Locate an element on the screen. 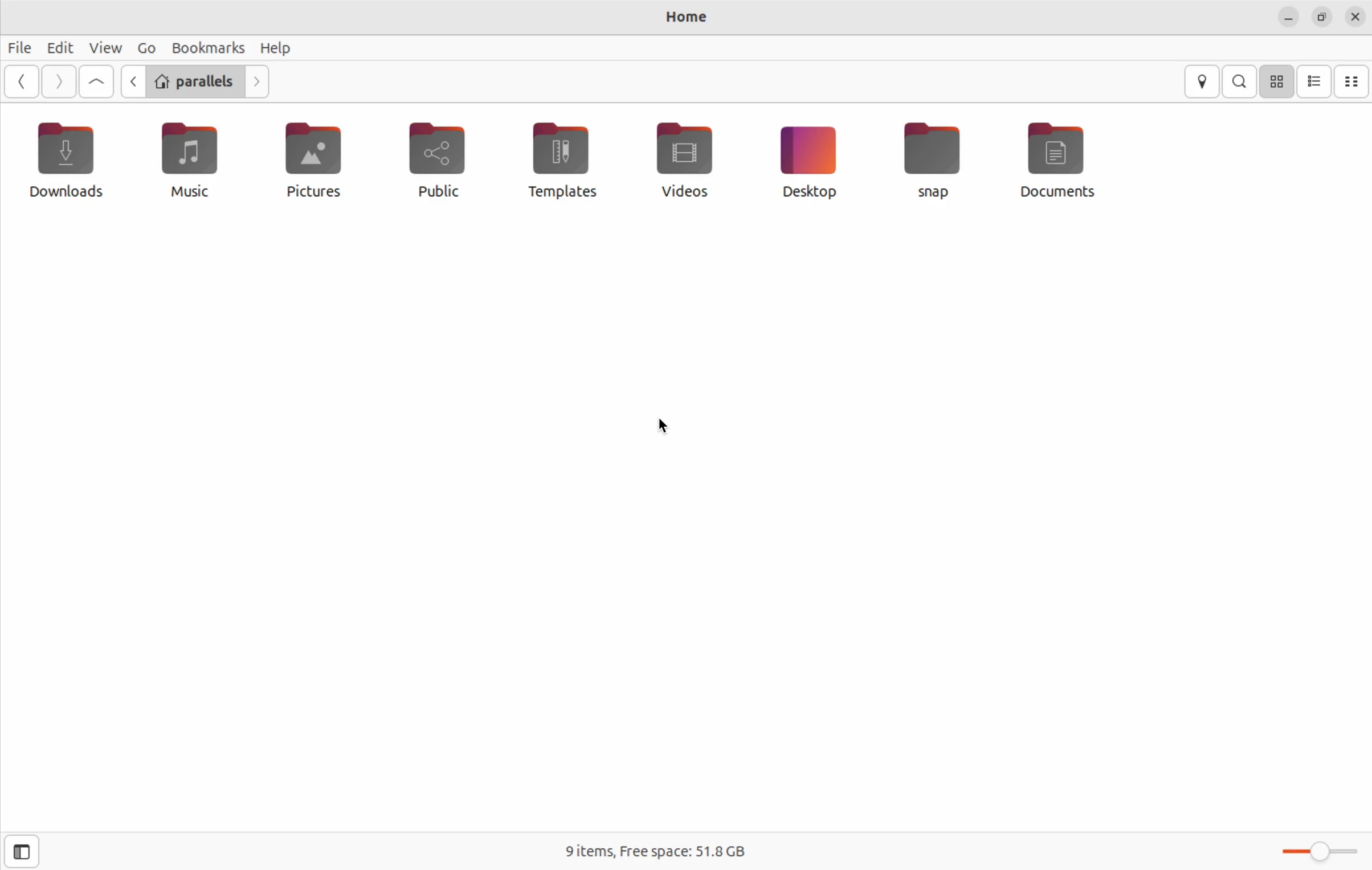  Go next is located at coordinates (60, 82).